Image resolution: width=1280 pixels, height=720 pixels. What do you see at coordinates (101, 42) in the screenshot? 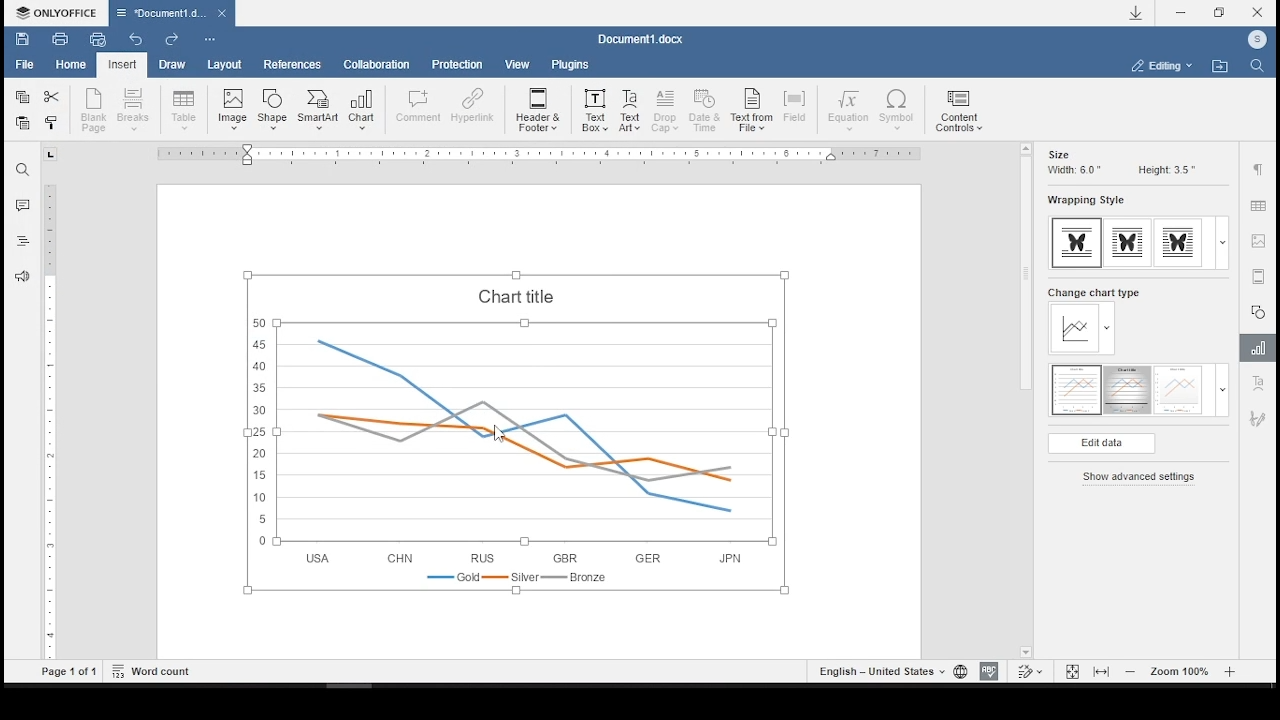
I see `quick print` at bounding box center [101, 42].